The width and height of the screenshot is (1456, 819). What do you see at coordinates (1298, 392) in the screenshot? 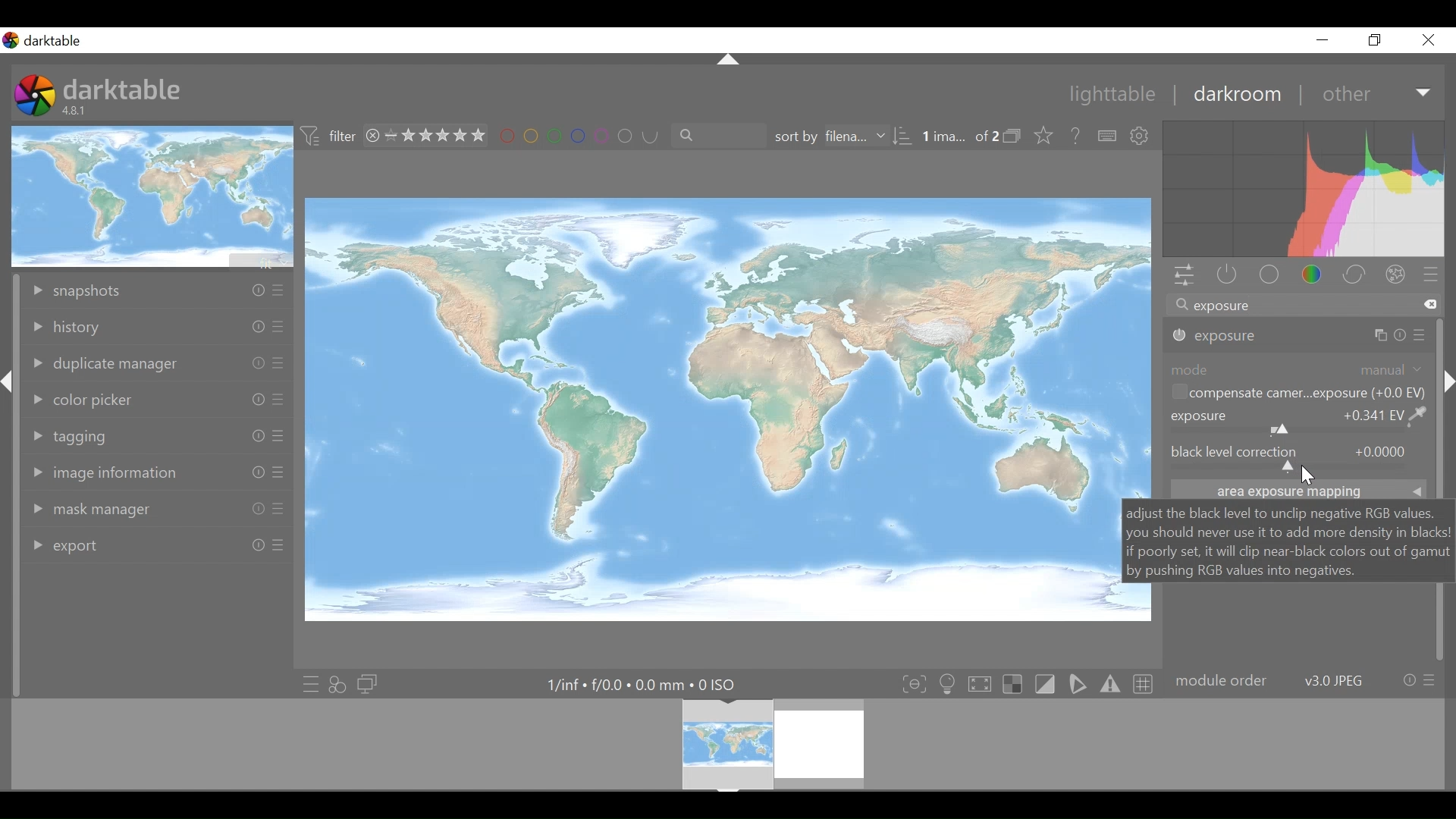
I see `compensate camera exposure` at bounding box center [1298, 392].